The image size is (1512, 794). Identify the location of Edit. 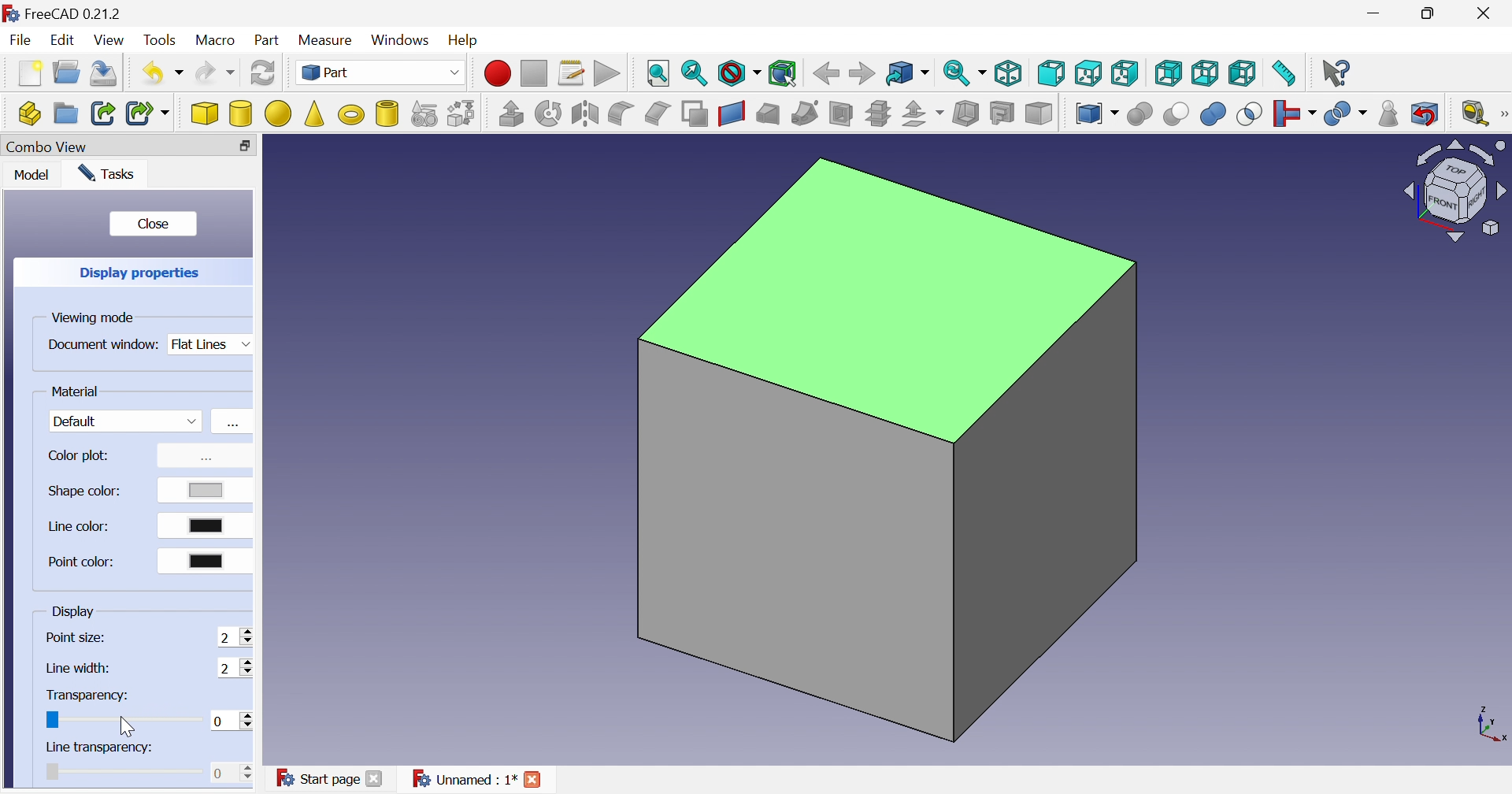
(62, 38).